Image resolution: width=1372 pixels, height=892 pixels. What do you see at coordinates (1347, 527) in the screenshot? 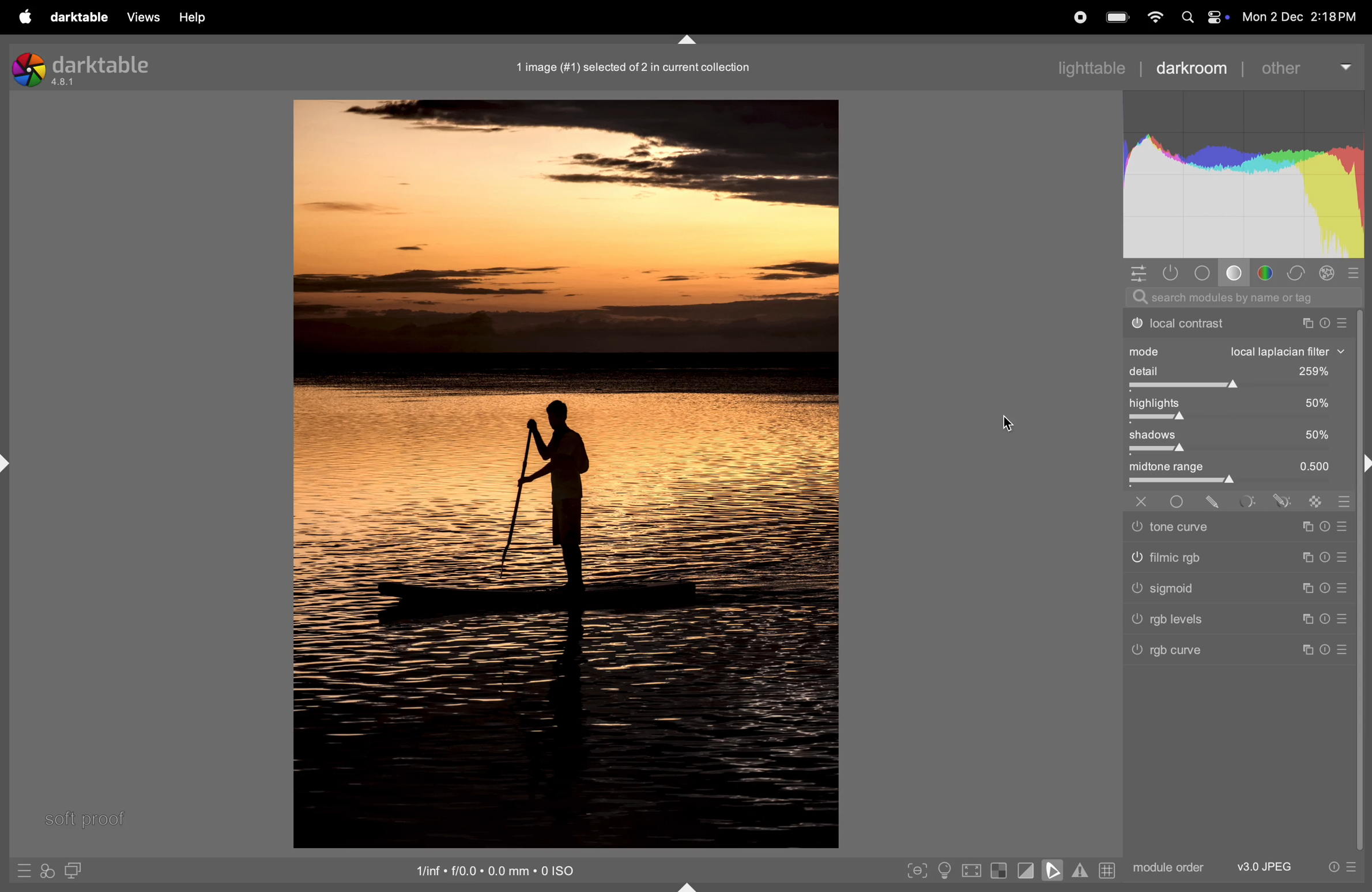
I see `sign ` at bounding box center [1347, 527].